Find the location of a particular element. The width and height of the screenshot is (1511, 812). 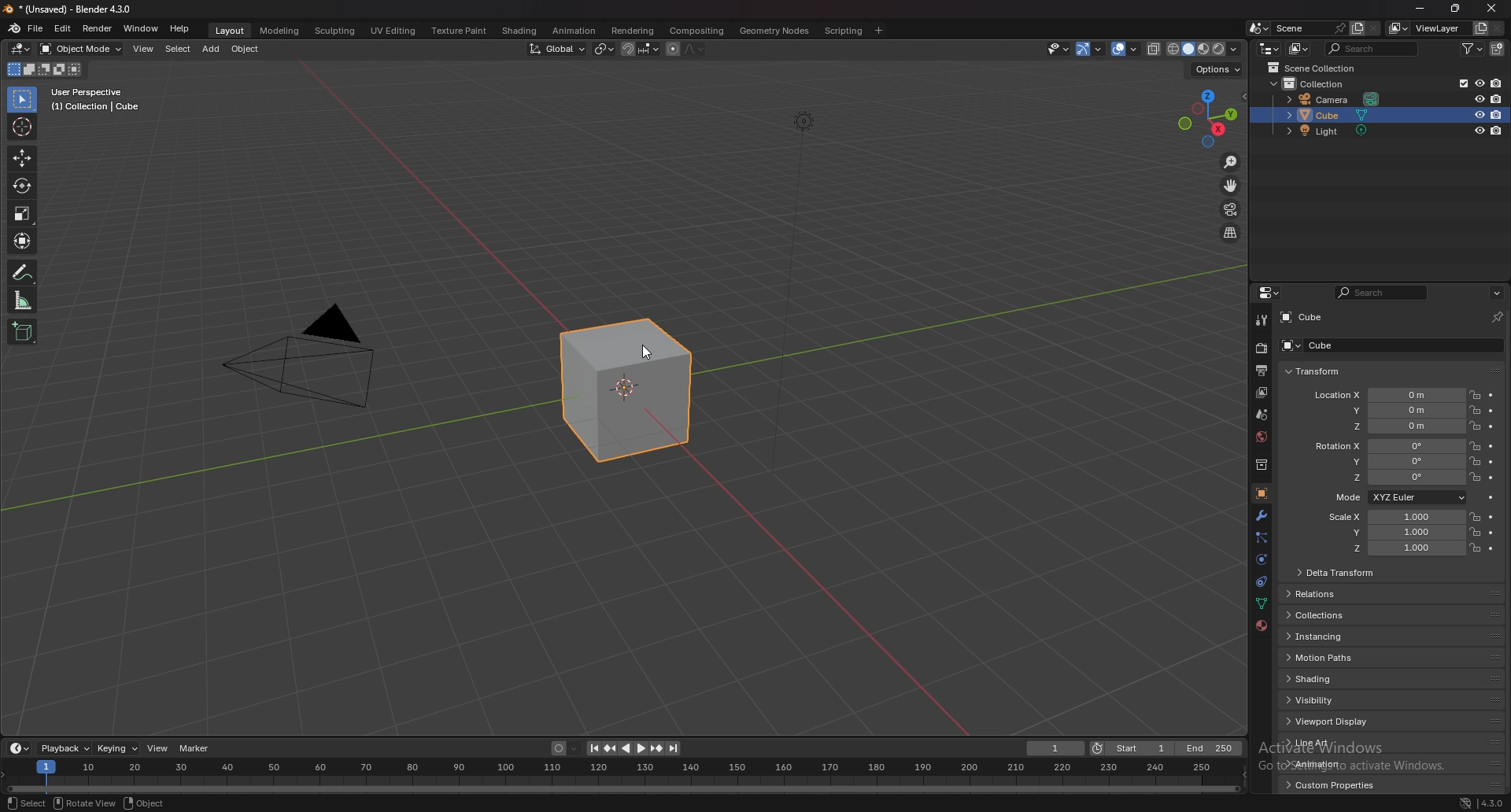

show gizmo is located at coordinates (1092, 49).